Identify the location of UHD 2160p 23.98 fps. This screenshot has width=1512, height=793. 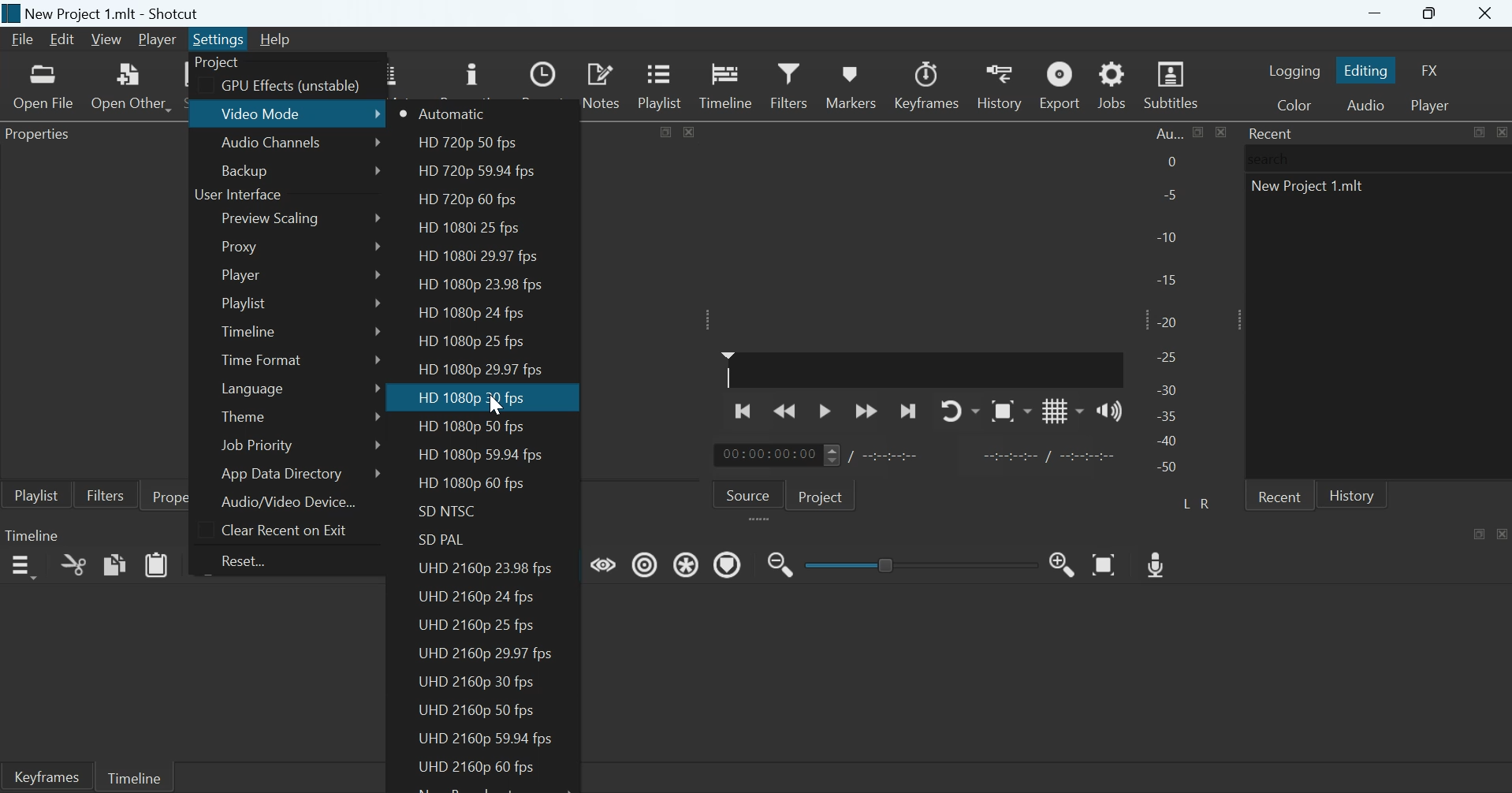
(488, 570).